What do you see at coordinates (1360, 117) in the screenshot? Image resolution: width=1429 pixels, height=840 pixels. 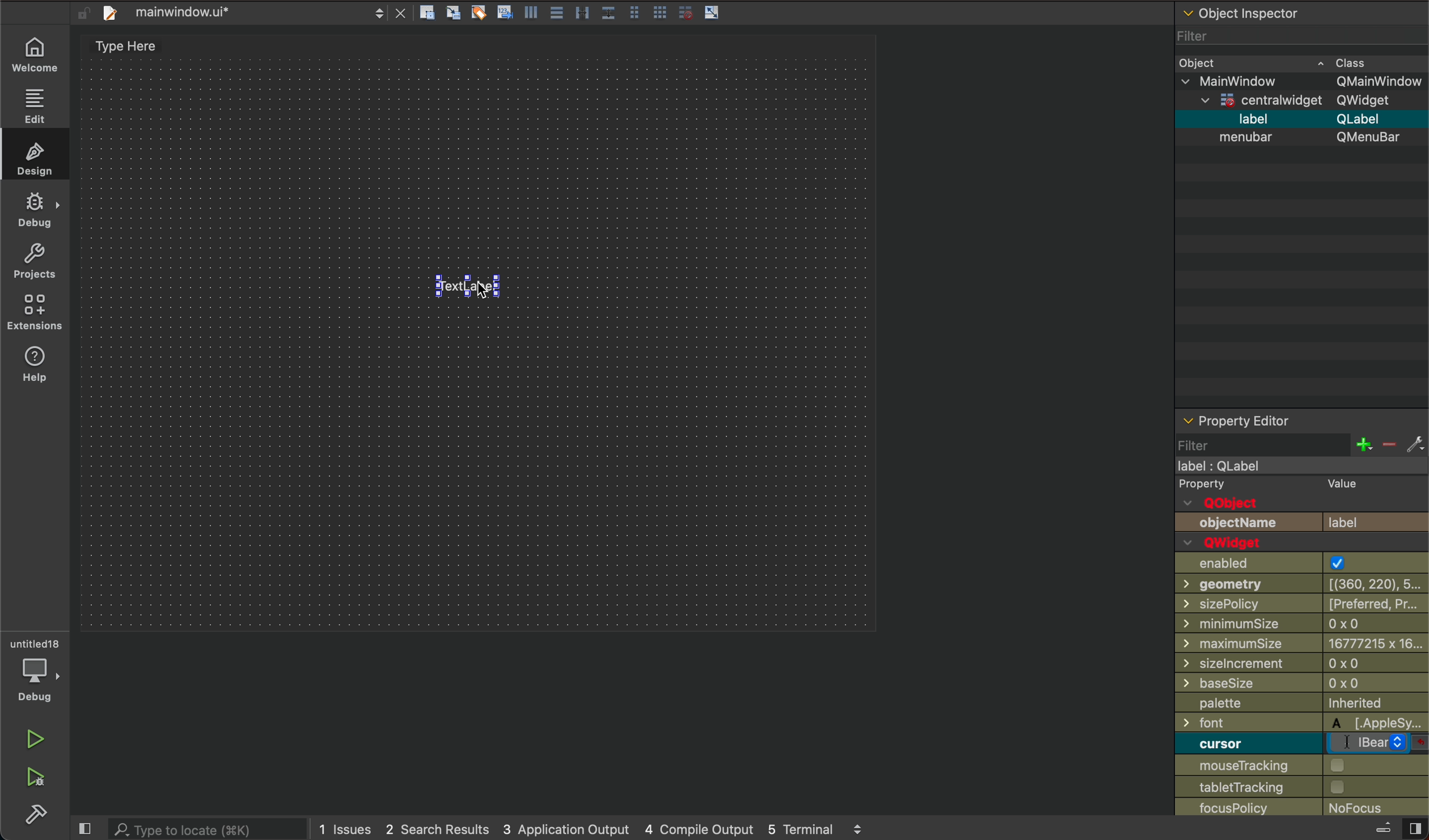 I see `Qlable` at bounding box center [1360, 117].